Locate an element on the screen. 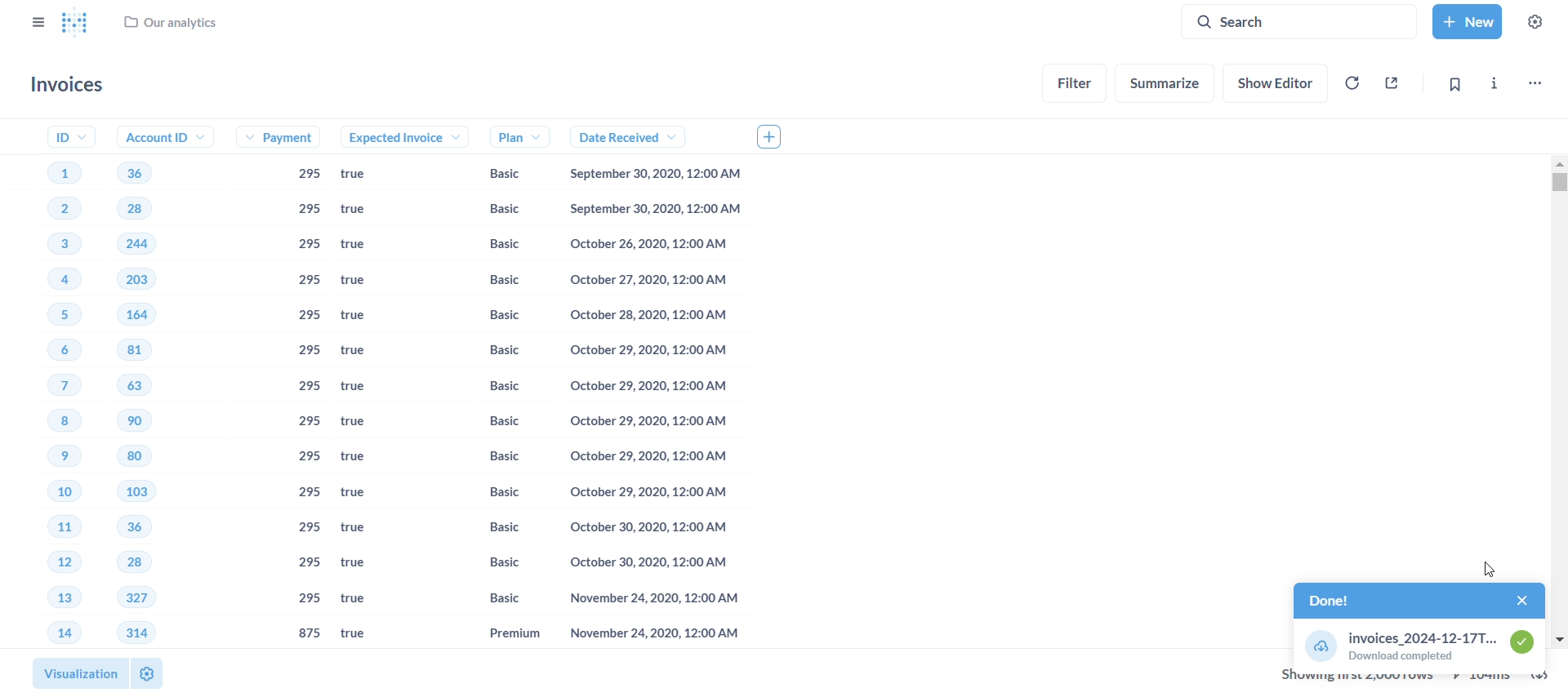 Image resolution: width=1568 pixels, height=697 pixels. 295 is located at coordinates (310, 458).